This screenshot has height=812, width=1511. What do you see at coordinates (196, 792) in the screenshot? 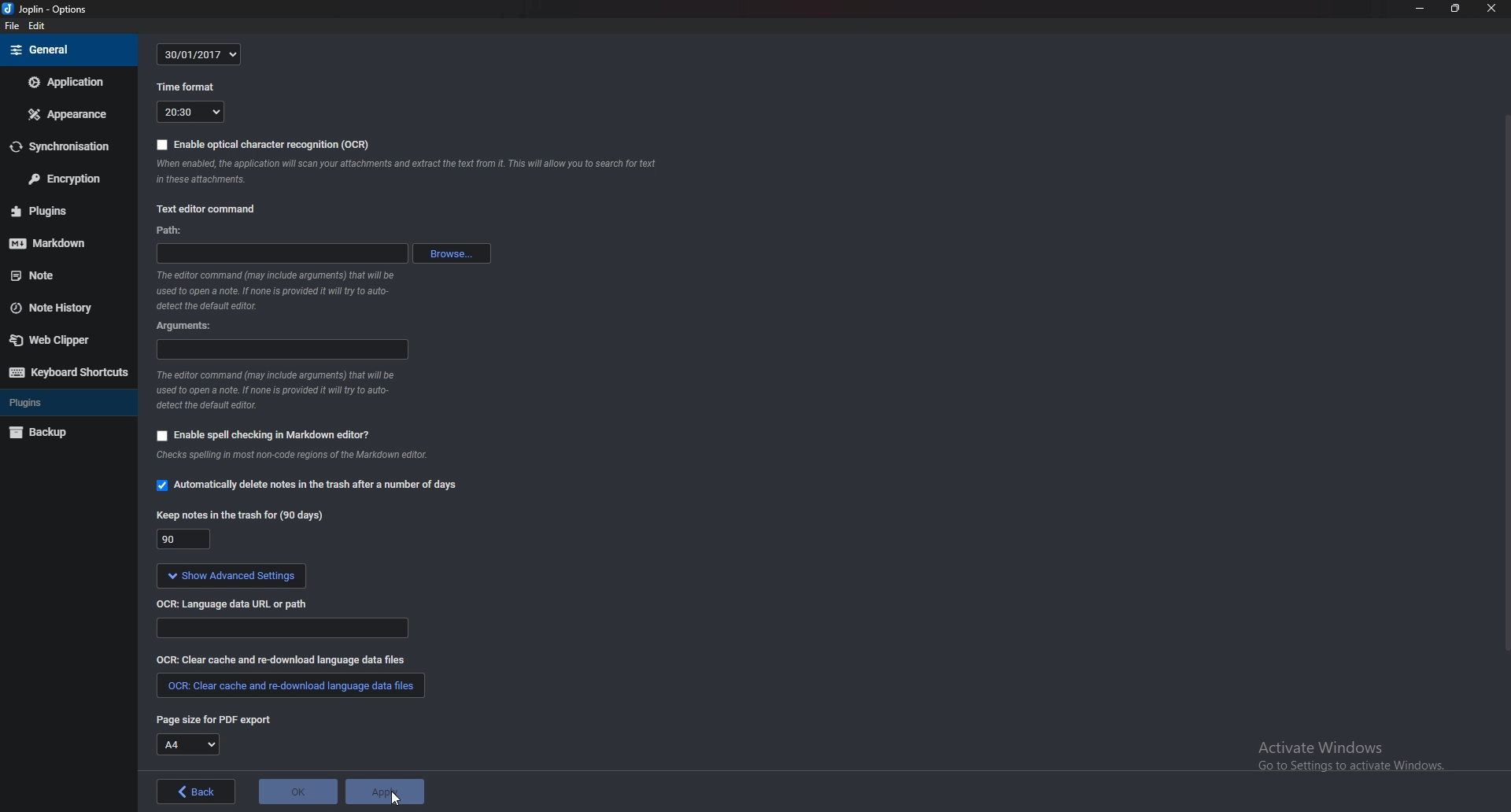
I see `back` at bounding box center [196, 792].